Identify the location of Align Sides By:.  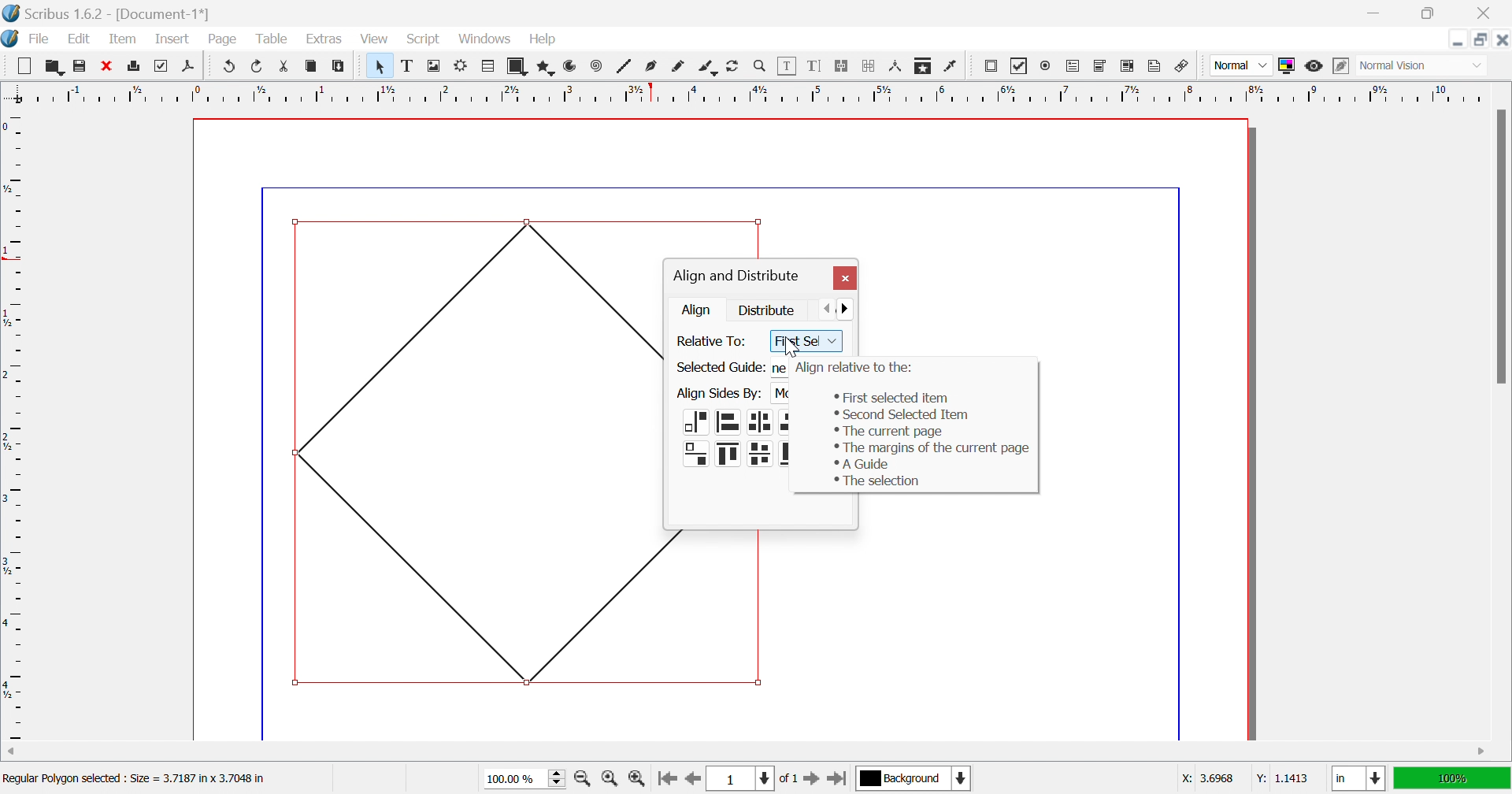
(719, 394).